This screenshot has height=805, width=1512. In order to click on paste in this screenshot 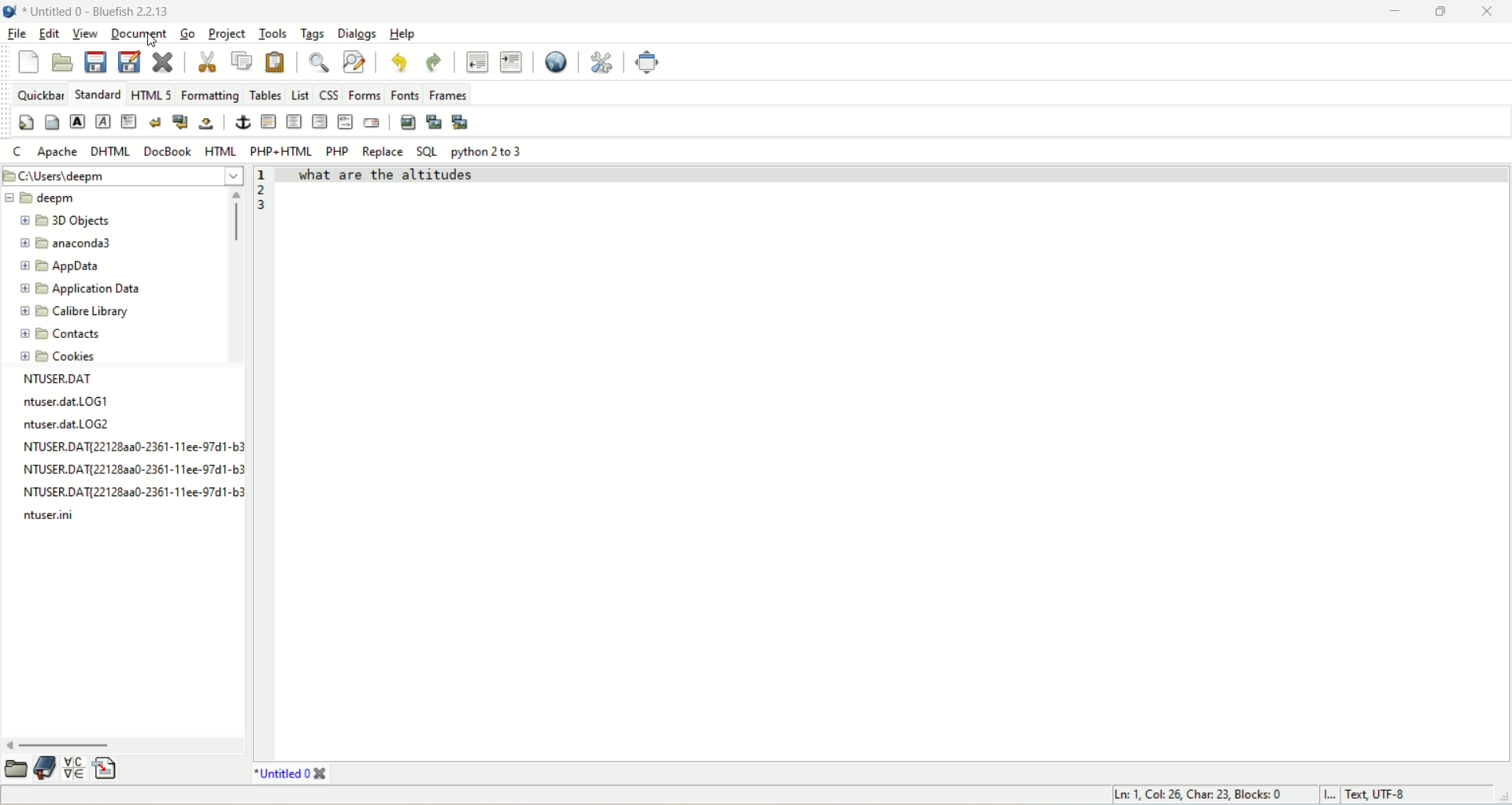, I will do `click(275, 61)`.